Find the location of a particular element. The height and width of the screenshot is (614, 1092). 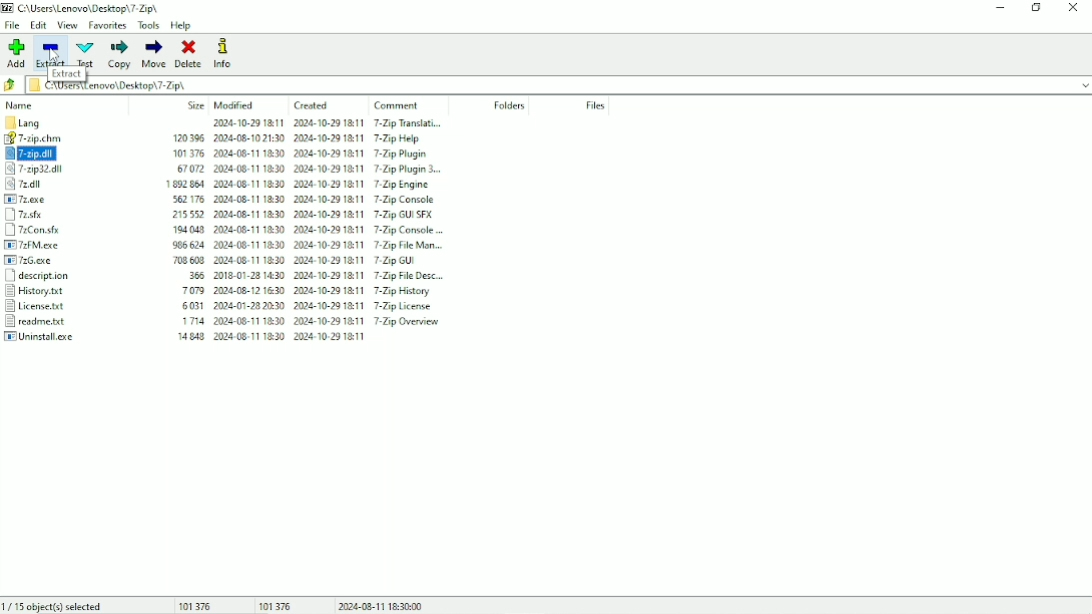

License.txt is located at coordinates (57, 307).